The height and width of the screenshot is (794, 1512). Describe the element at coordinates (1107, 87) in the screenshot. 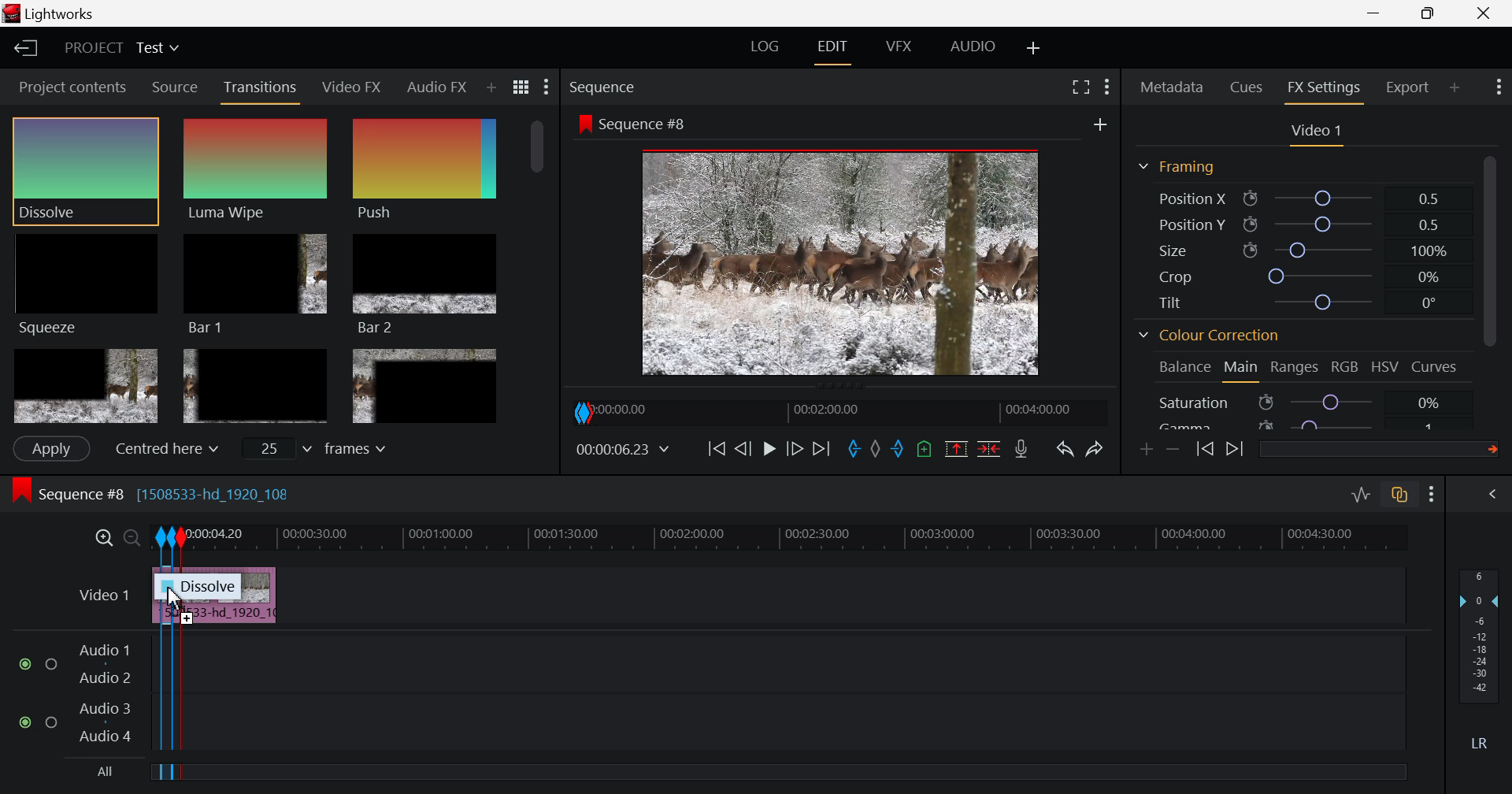

I see `Show settings` at that location.